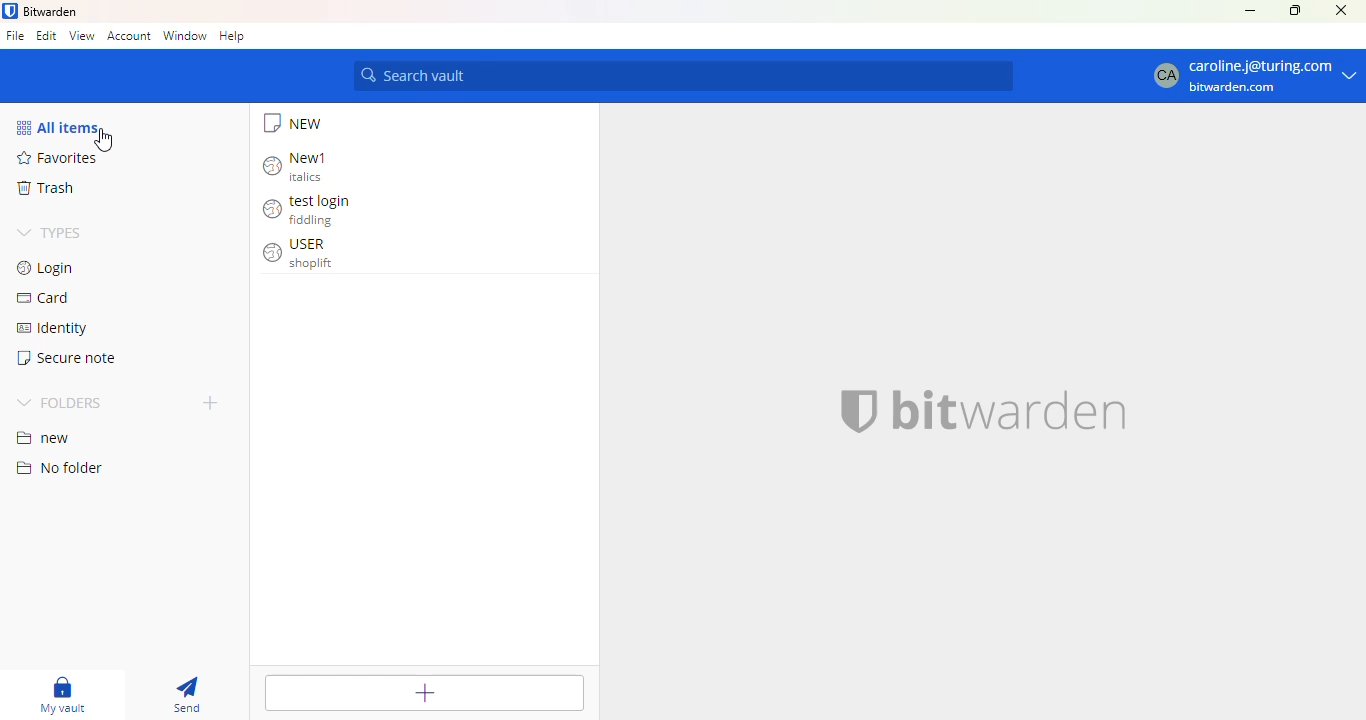  I want to click on cursor, so click(103, 140).